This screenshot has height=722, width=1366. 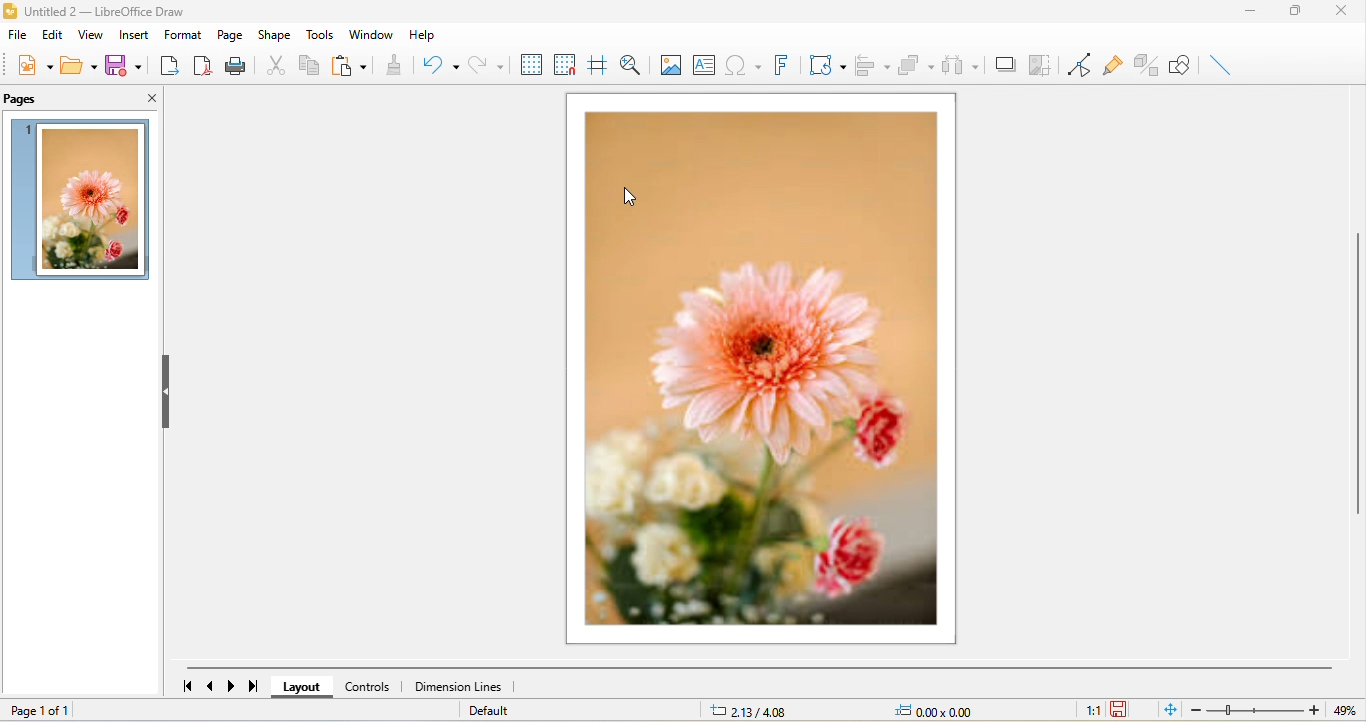 I want to click on paste, so click(x=349, y=65).